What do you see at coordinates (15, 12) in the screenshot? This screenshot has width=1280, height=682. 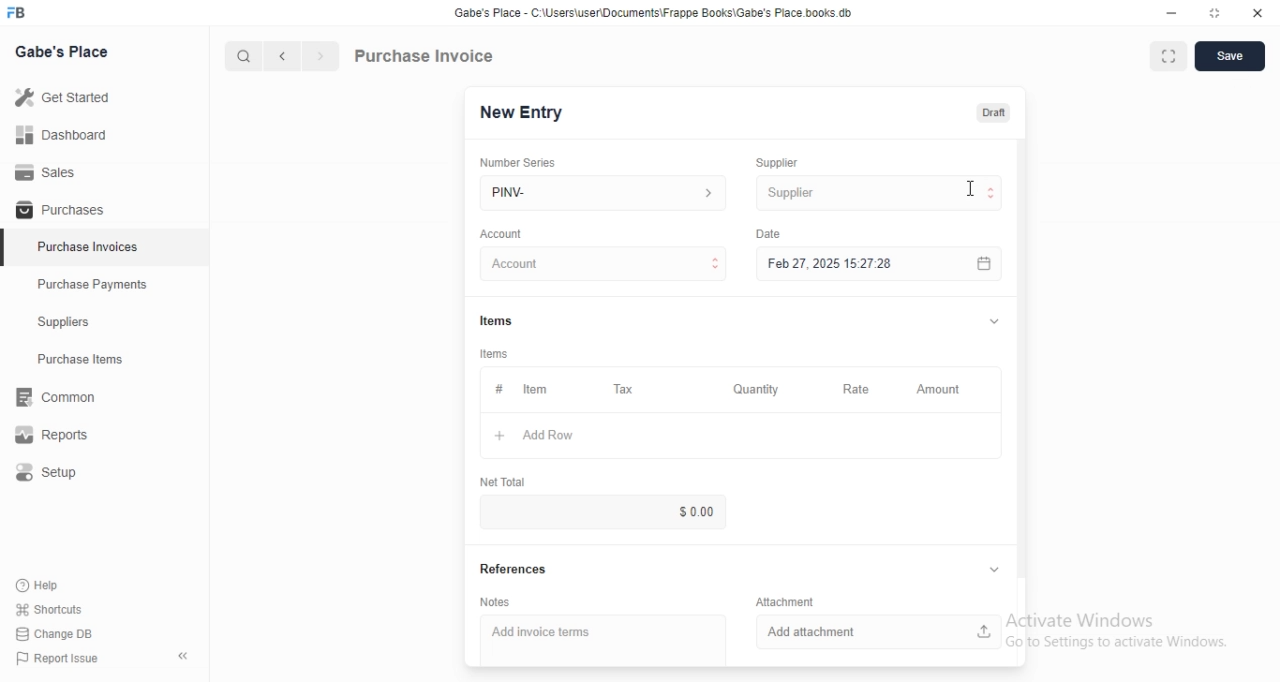 I see `Frappe Books logo` at bounding box center [15, 12].